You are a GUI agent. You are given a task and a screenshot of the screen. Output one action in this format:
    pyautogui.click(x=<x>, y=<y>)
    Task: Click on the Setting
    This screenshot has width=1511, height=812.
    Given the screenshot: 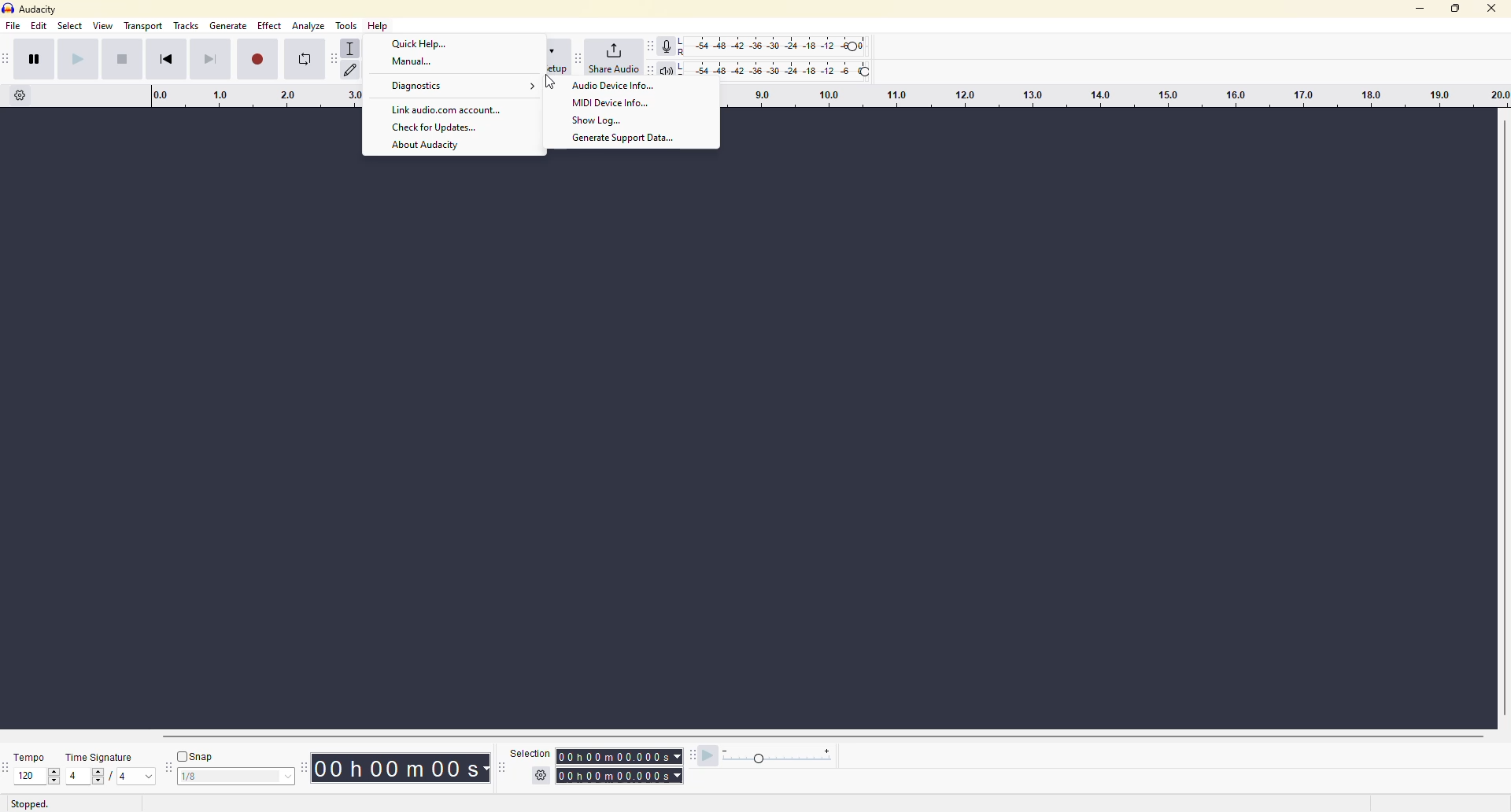 What is the action you would take?
    pyautogui.click(x=20, y=100)
    